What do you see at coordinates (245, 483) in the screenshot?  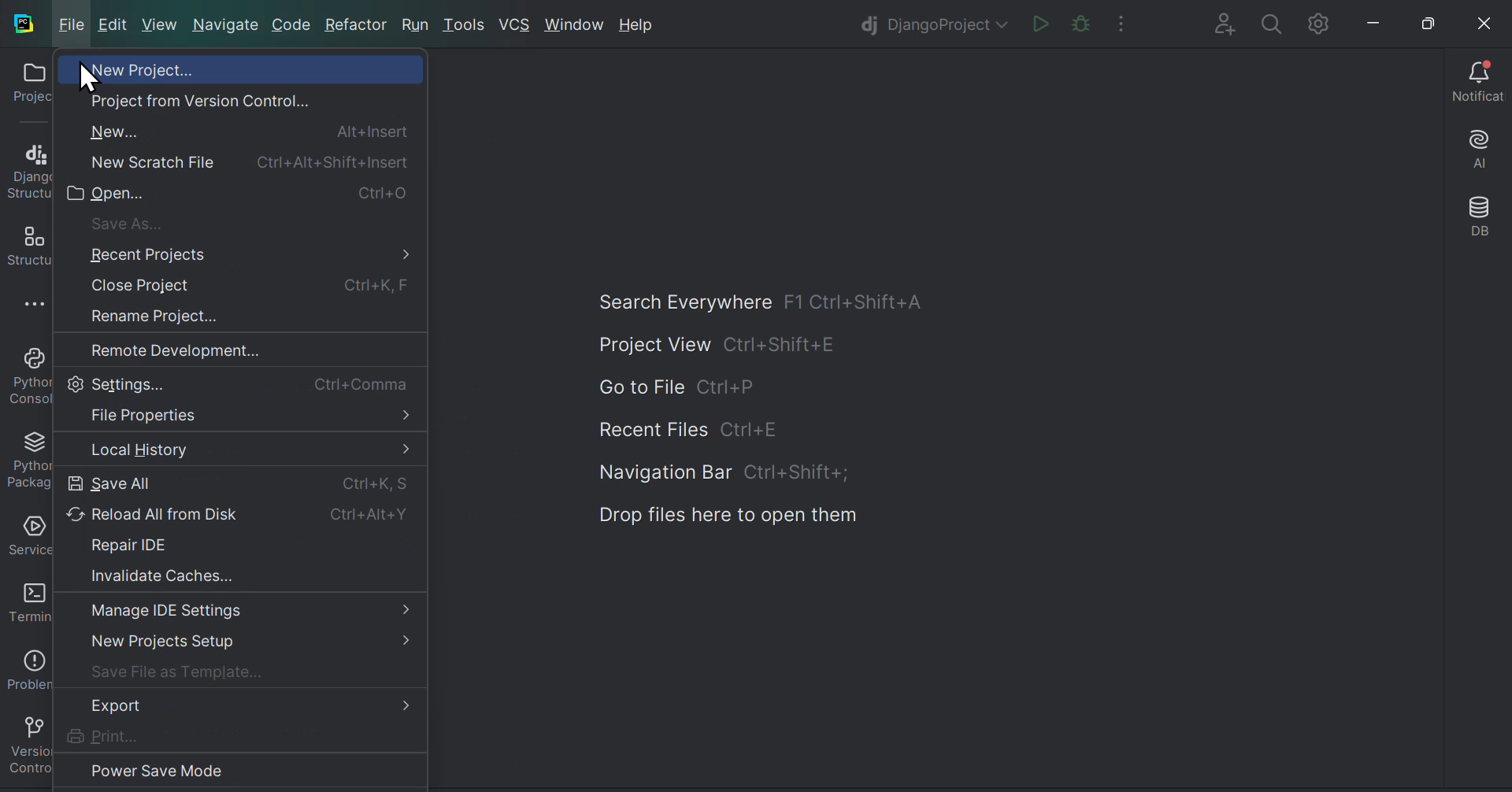 I see `Save all` at bounding box center [245, 483].